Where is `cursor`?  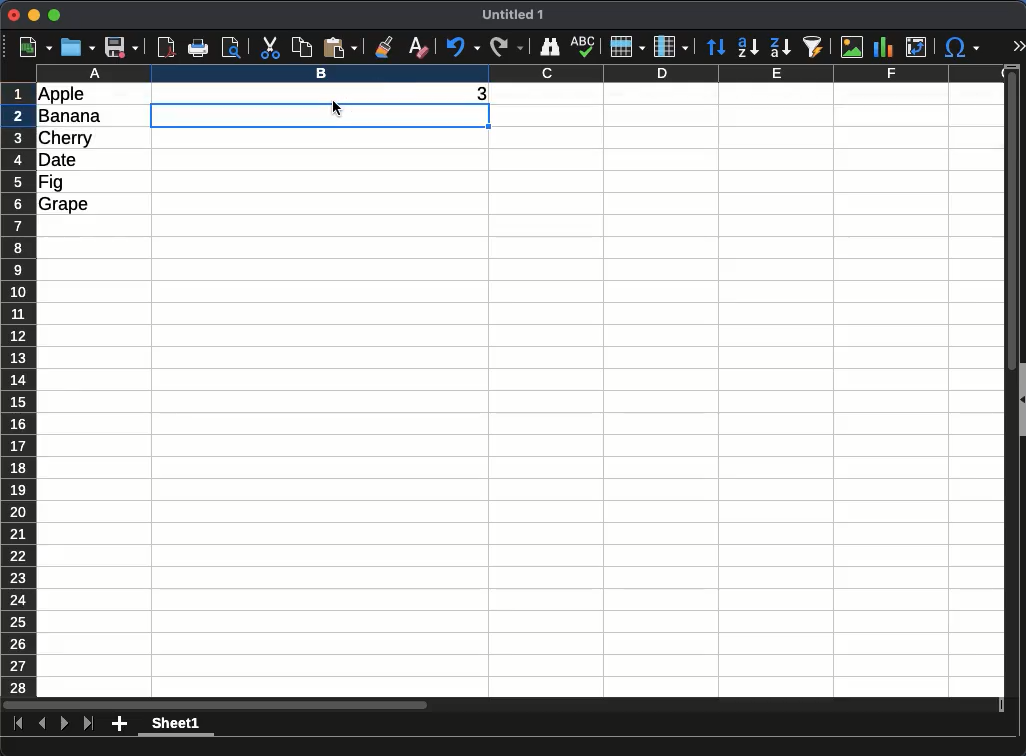
cursor is located at coordinates (337, 108).